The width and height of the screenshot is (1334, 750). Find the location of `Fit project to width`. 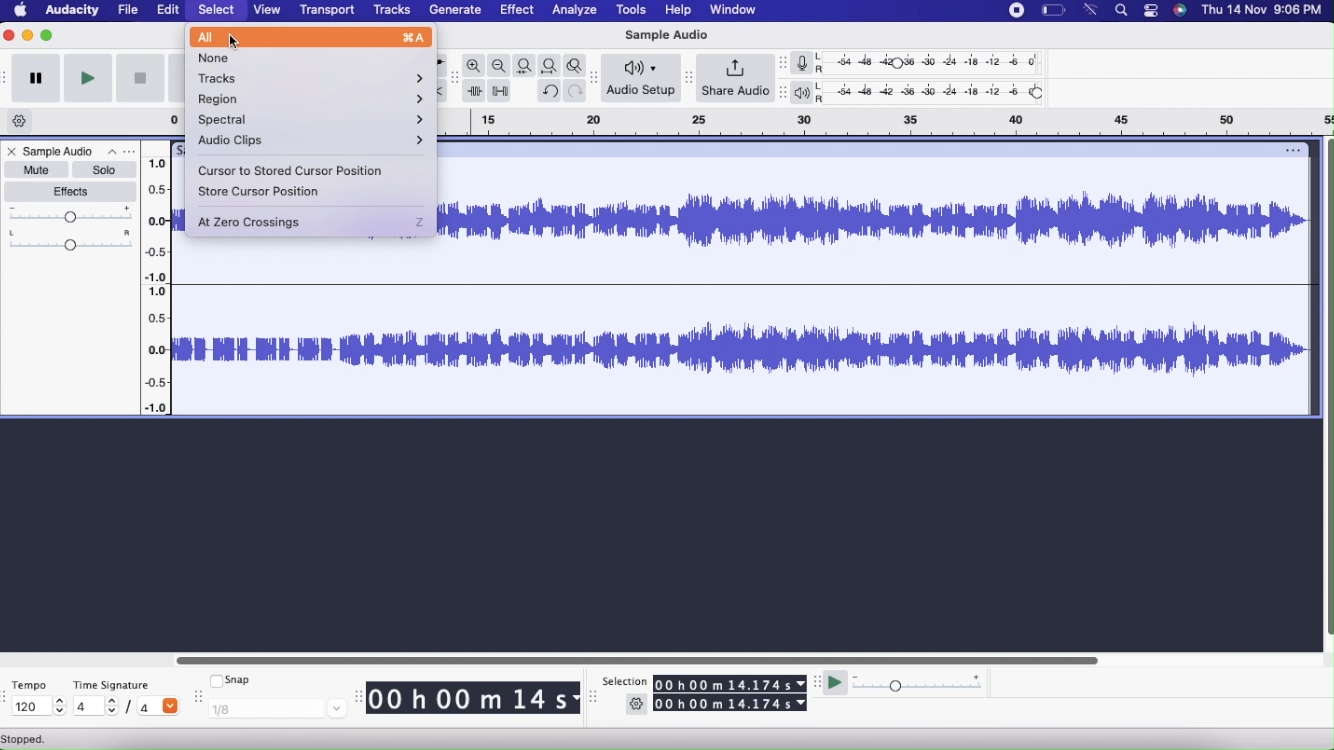

Fit project to width is located at coordinates (550, 66).